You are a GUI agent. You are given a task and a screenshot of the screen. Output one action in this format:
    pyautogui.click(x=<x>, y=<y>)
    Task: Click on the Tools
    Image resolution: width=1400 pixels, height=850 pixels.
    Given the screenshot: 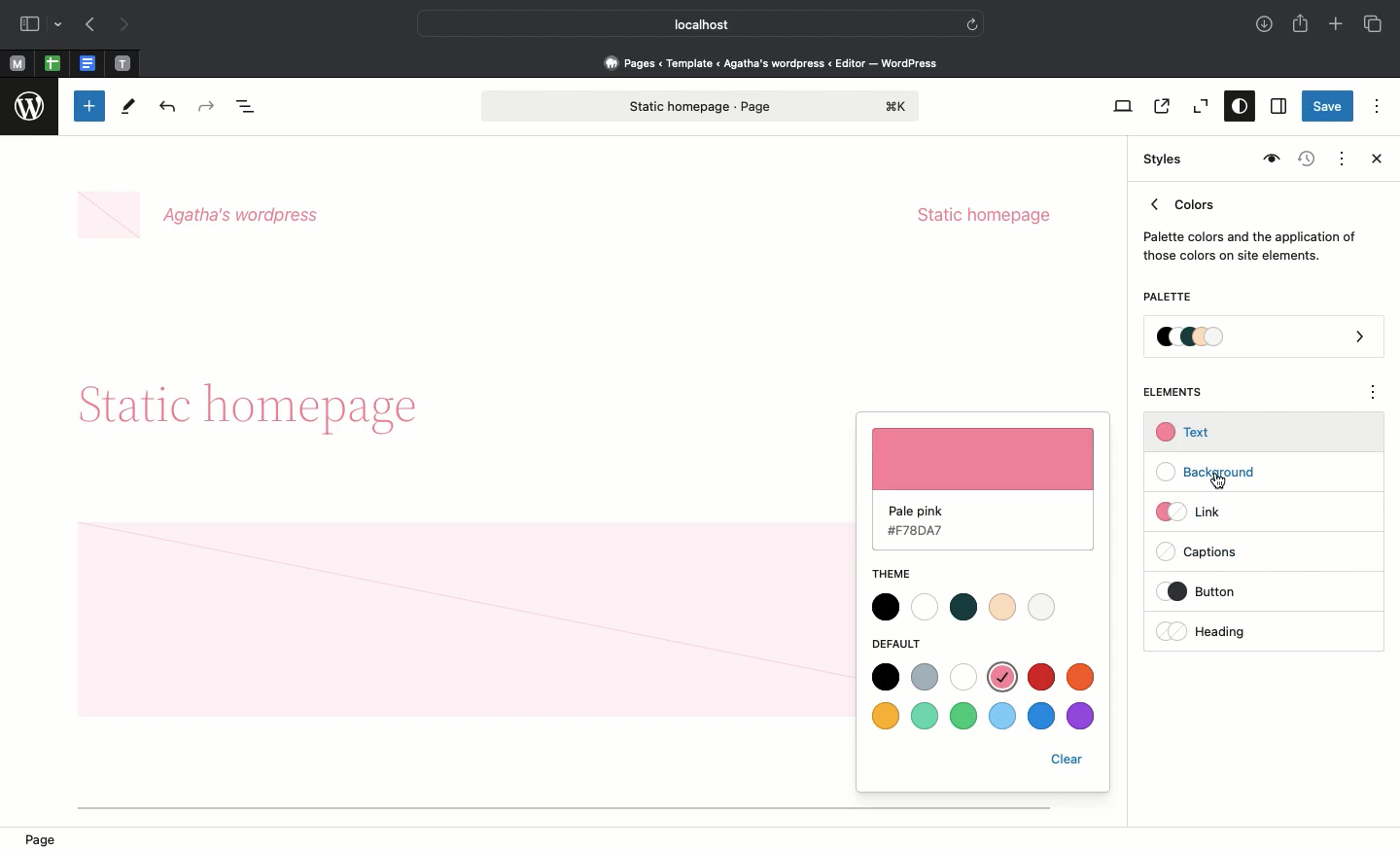 What is the action you would take?
    pyautogui.click(x=129, y=111)
    